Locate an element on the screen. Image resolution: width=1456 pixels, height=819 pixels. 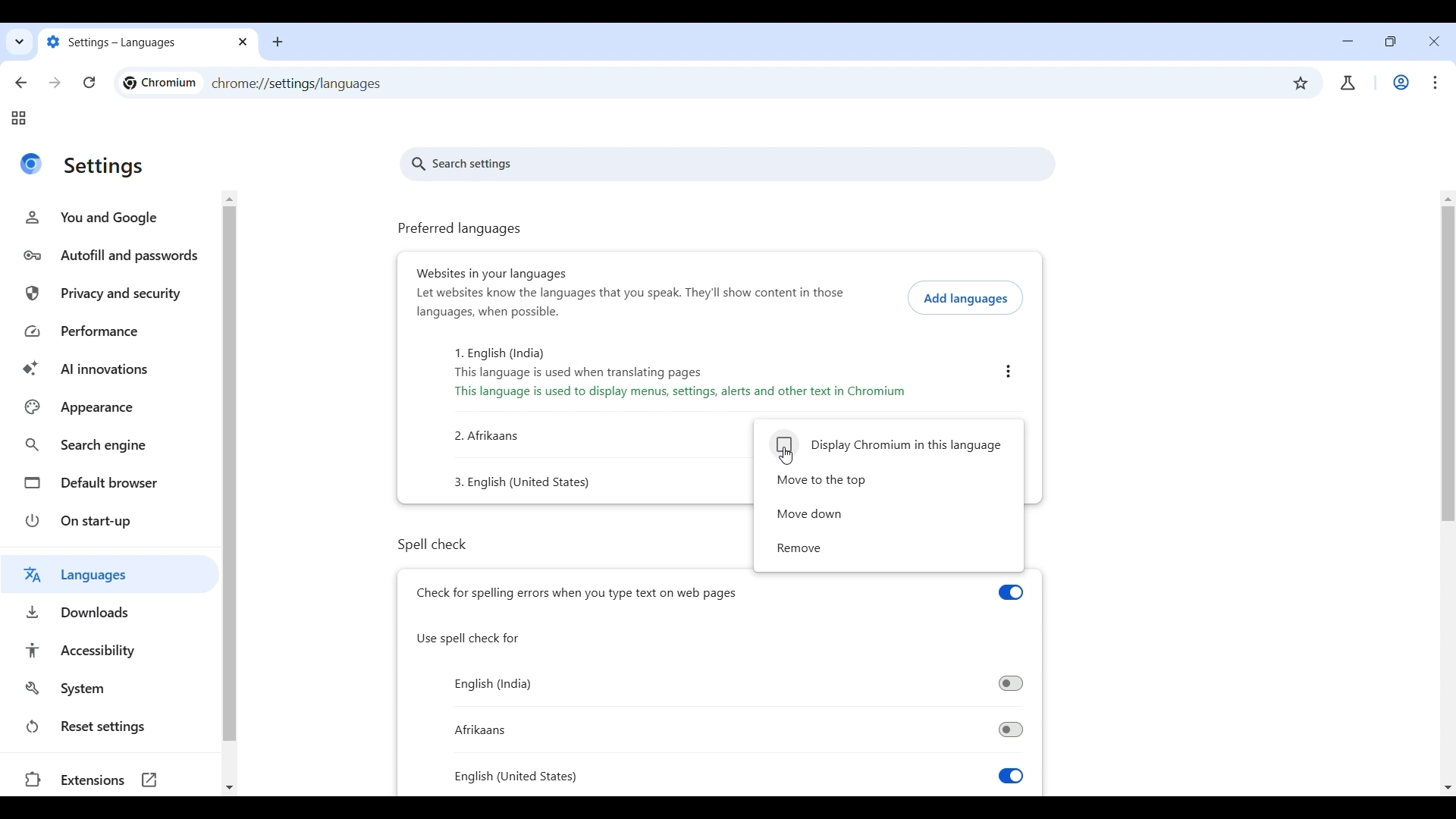
Reload page is located at coordinates (89, 83).